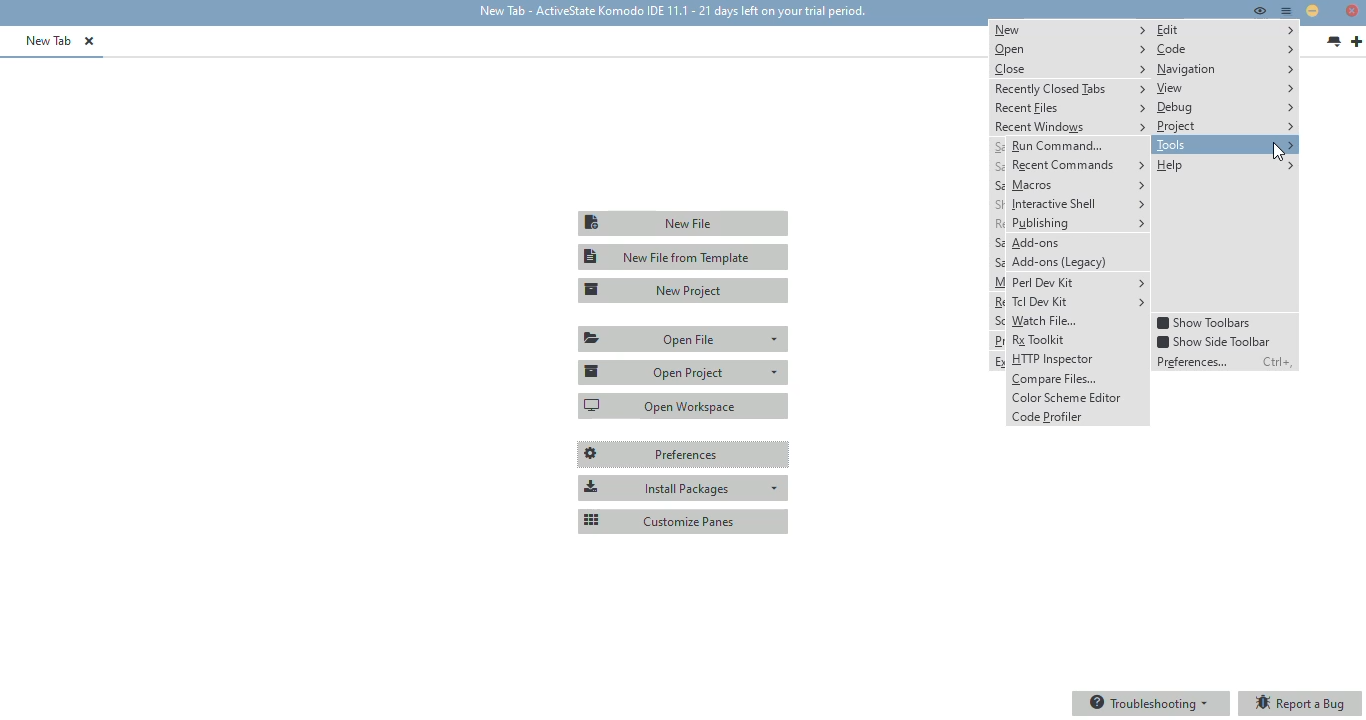 This screenshot has height=720, width=1366. Describe the element at coordinates (1080, 242) in the screenshot. I see `Add-ons` at that location.